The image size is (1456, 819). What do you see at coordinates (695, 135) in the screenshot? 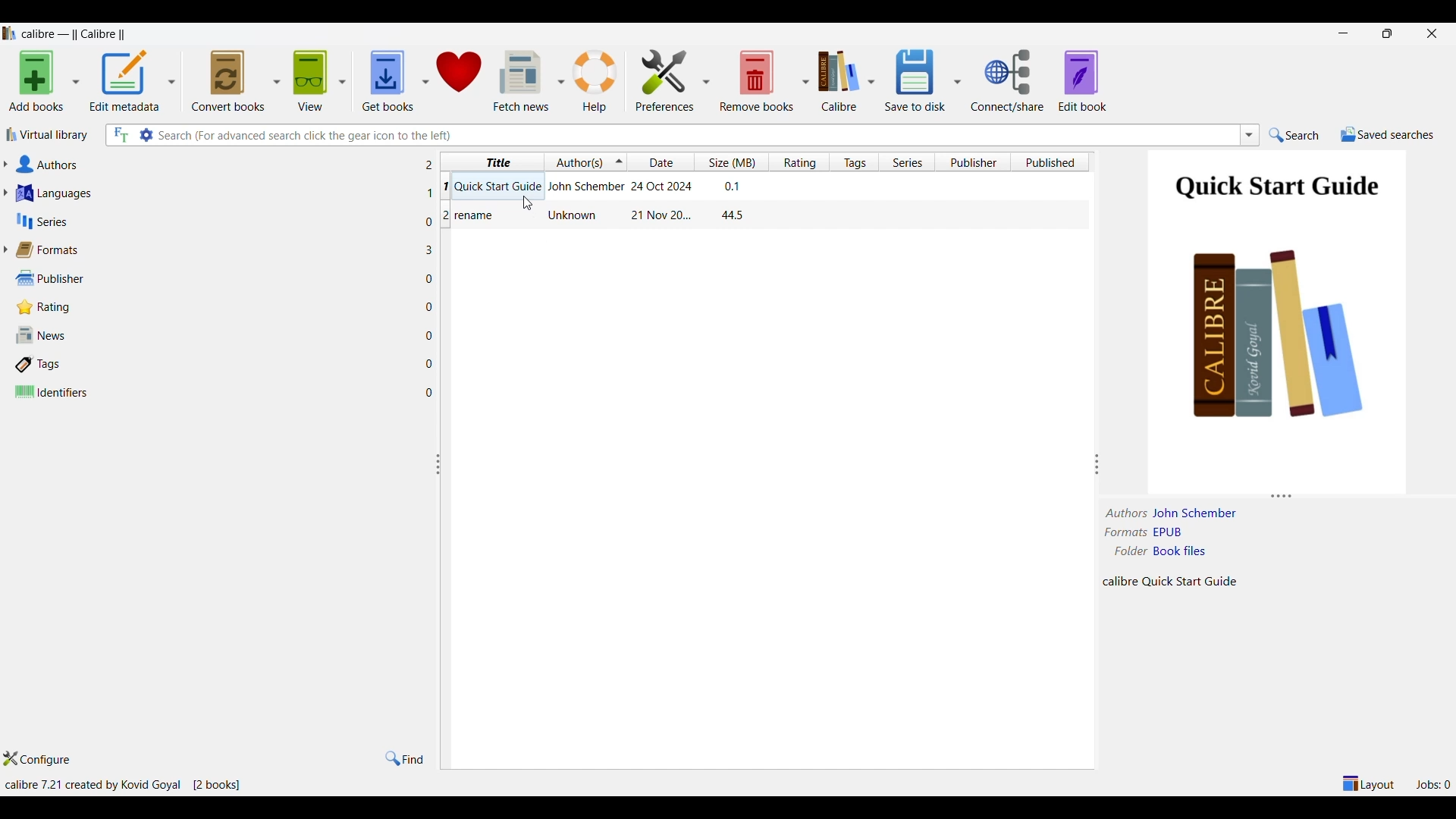
I see `Type in search` at bounding box center [695, 135].